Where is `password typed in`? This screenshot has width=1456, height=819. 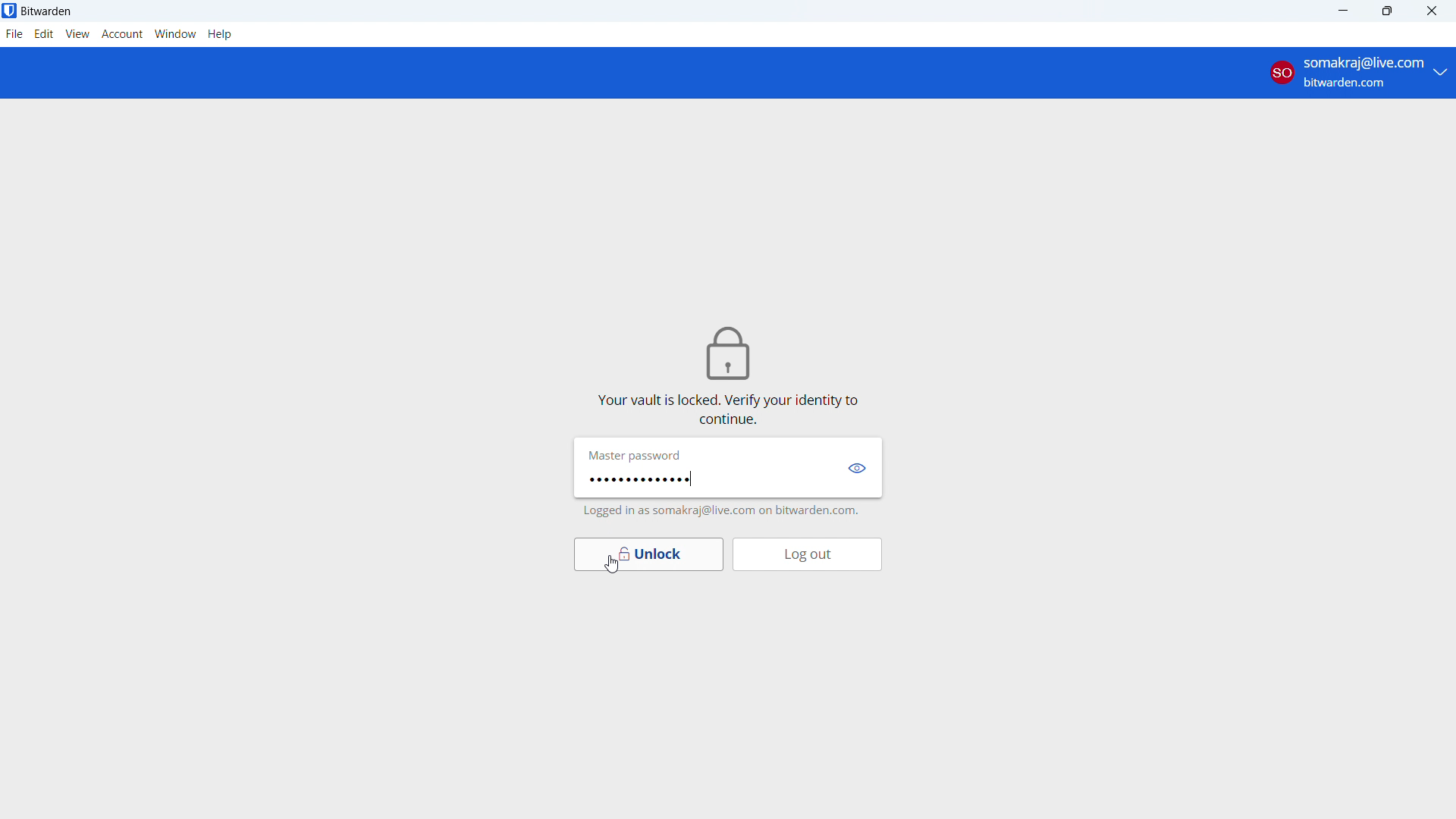 password typed in is located at coordinates (641, 480).